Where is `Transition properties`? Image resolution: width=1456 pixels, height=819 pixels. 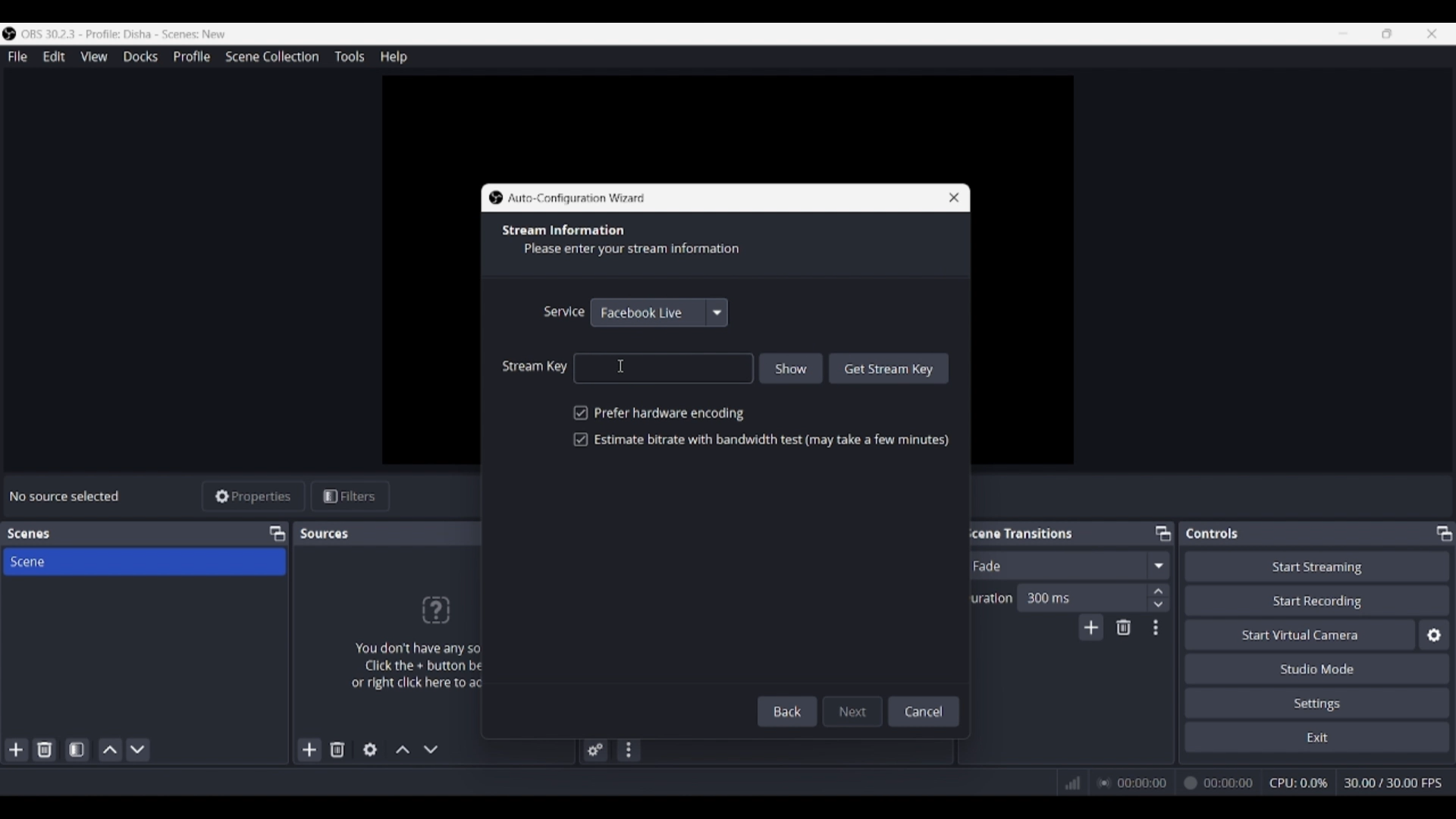 Transition properties is located at coordinates (1156, 628).